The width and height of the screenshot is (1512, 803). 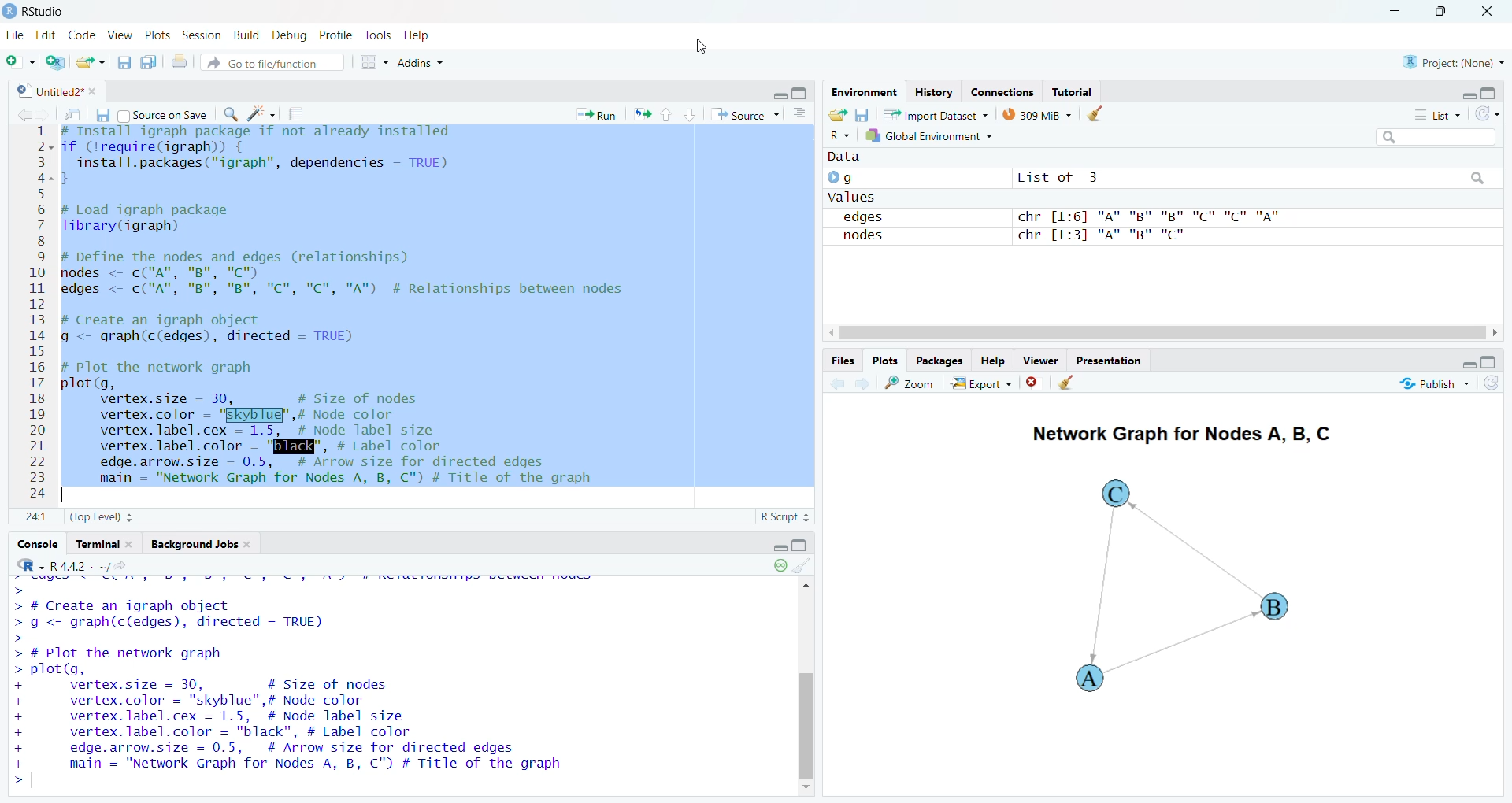 What do you see at coordinates (196, 546) in the screenshot?
I see `Background Jobs` at bounding box center [196, 546].